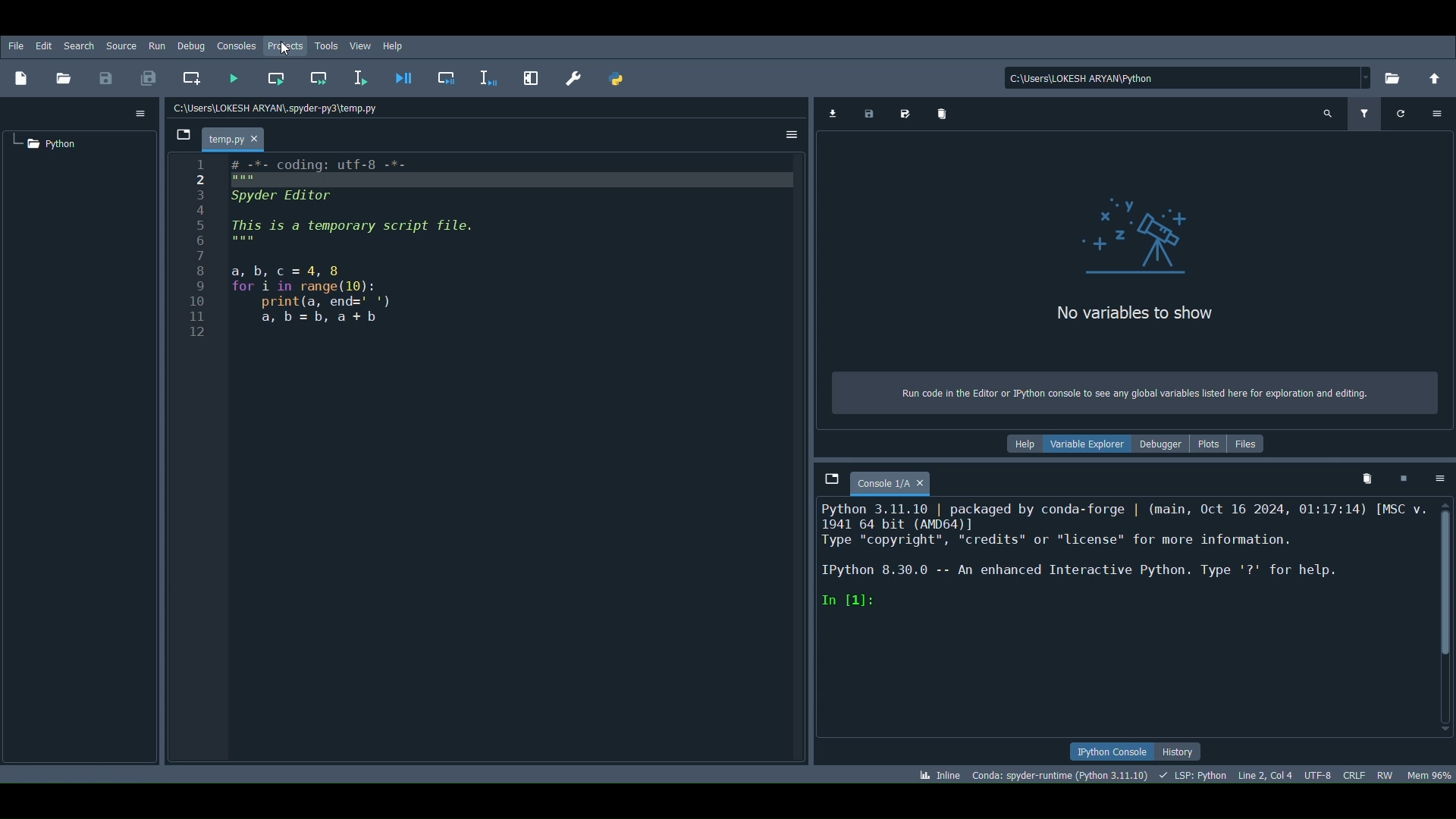  What do you see at coordinates (1444, 617) in the screenshot?
I see `Scrollbar` at bounding box center [1444, 617].